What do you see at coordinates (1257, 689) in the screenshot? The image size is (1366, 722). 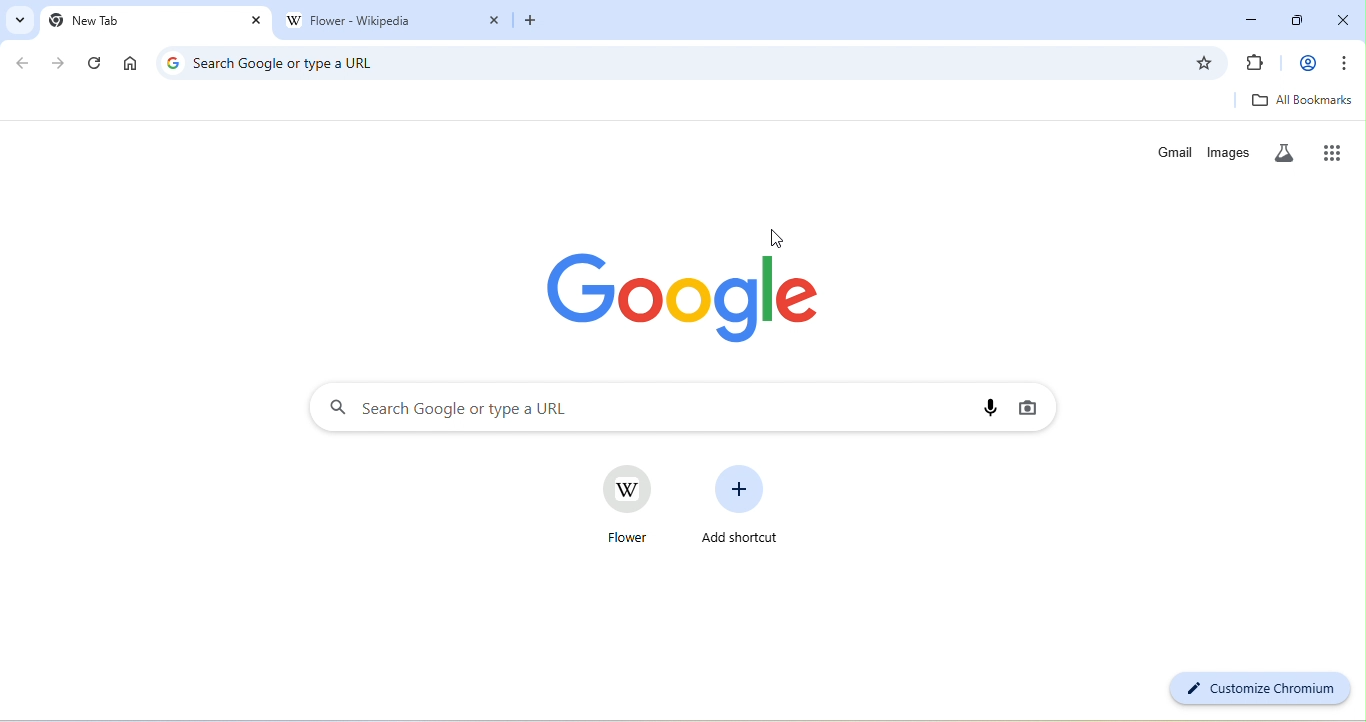 I see `customize chromium` at bounding box center [1257, 689].